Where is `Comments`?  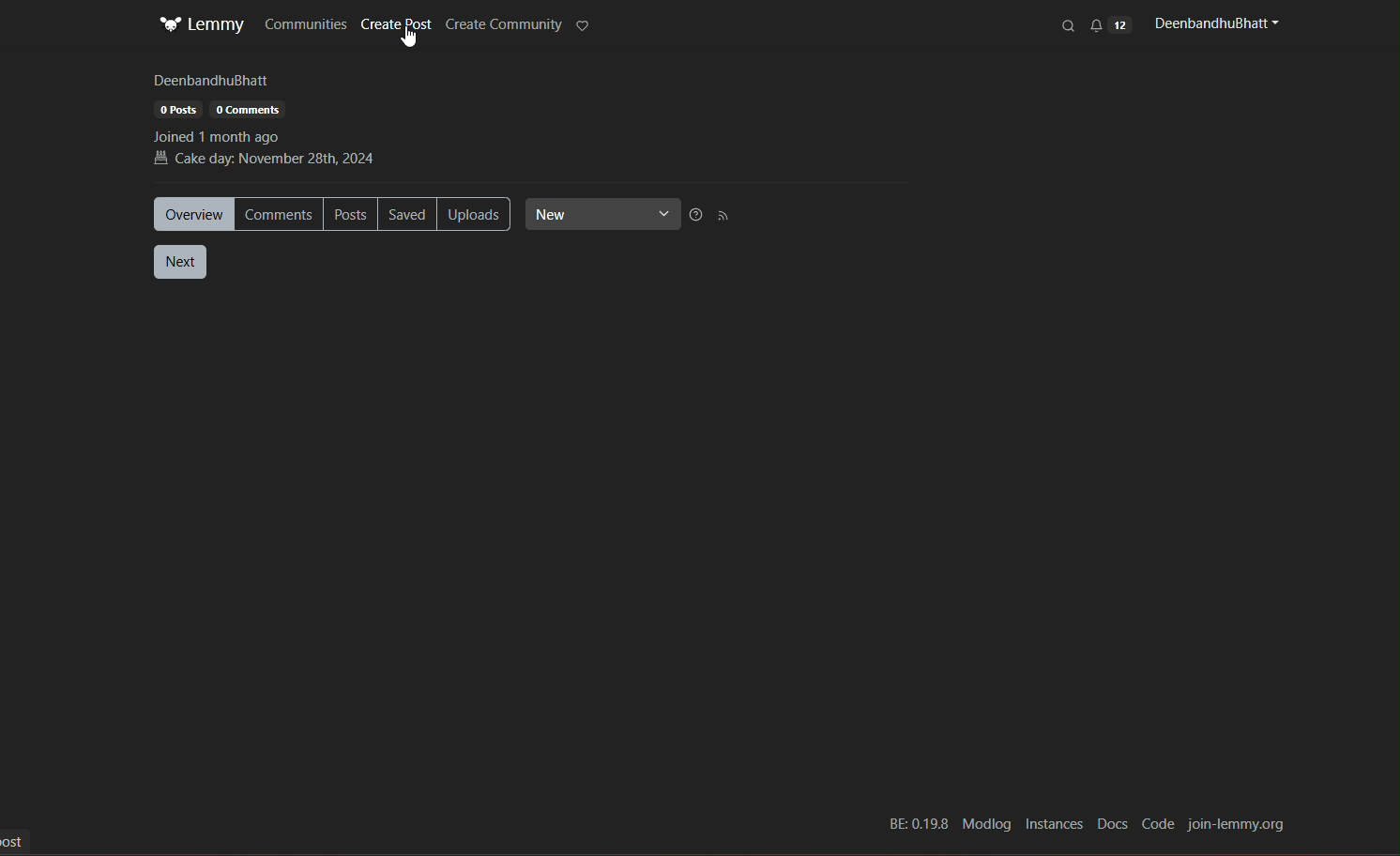 Comments is located at coordinates (281, 214).